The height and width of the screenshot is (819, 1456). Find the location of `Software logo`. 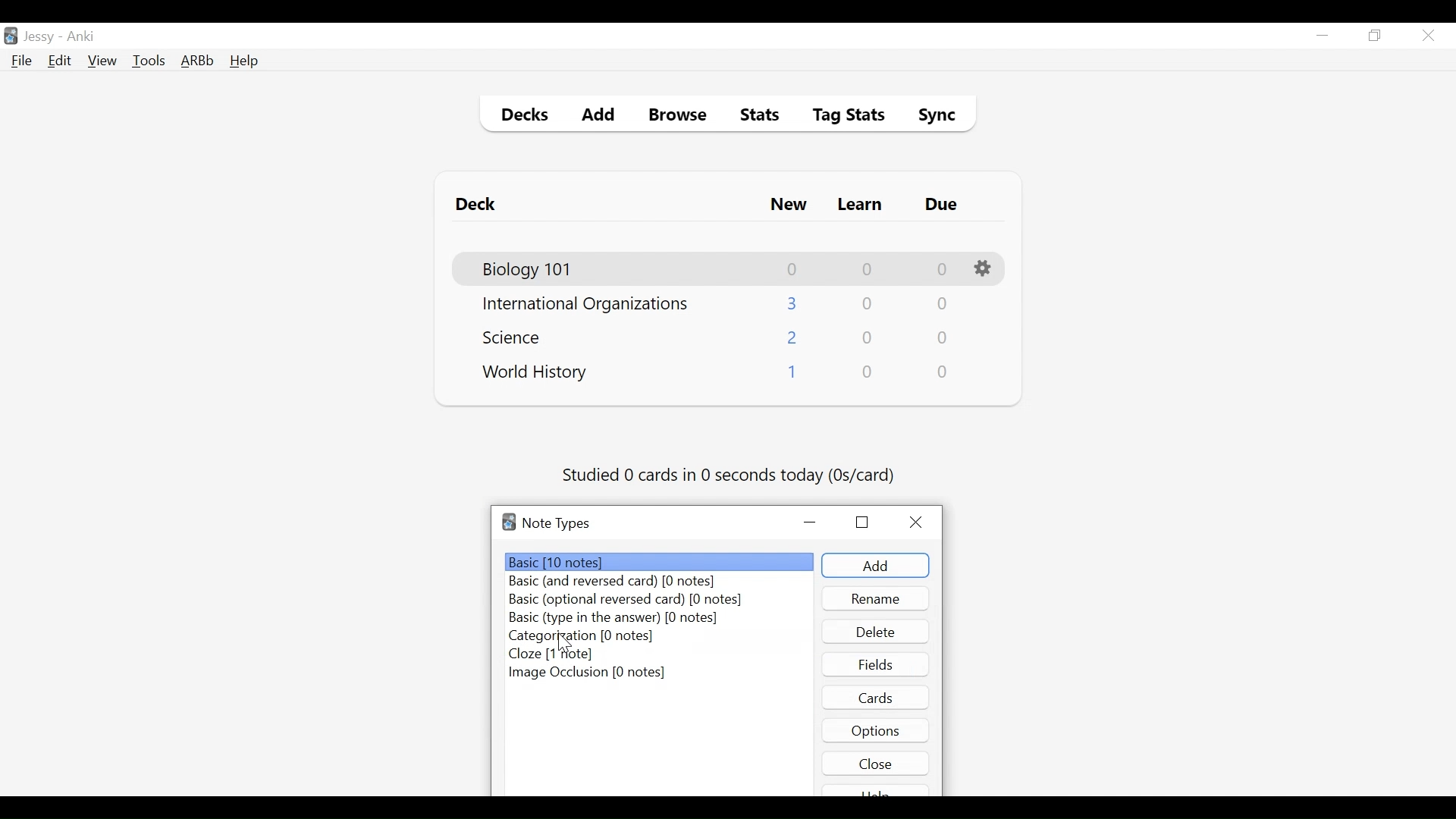

Software logo is located at coordinates (509, 522).